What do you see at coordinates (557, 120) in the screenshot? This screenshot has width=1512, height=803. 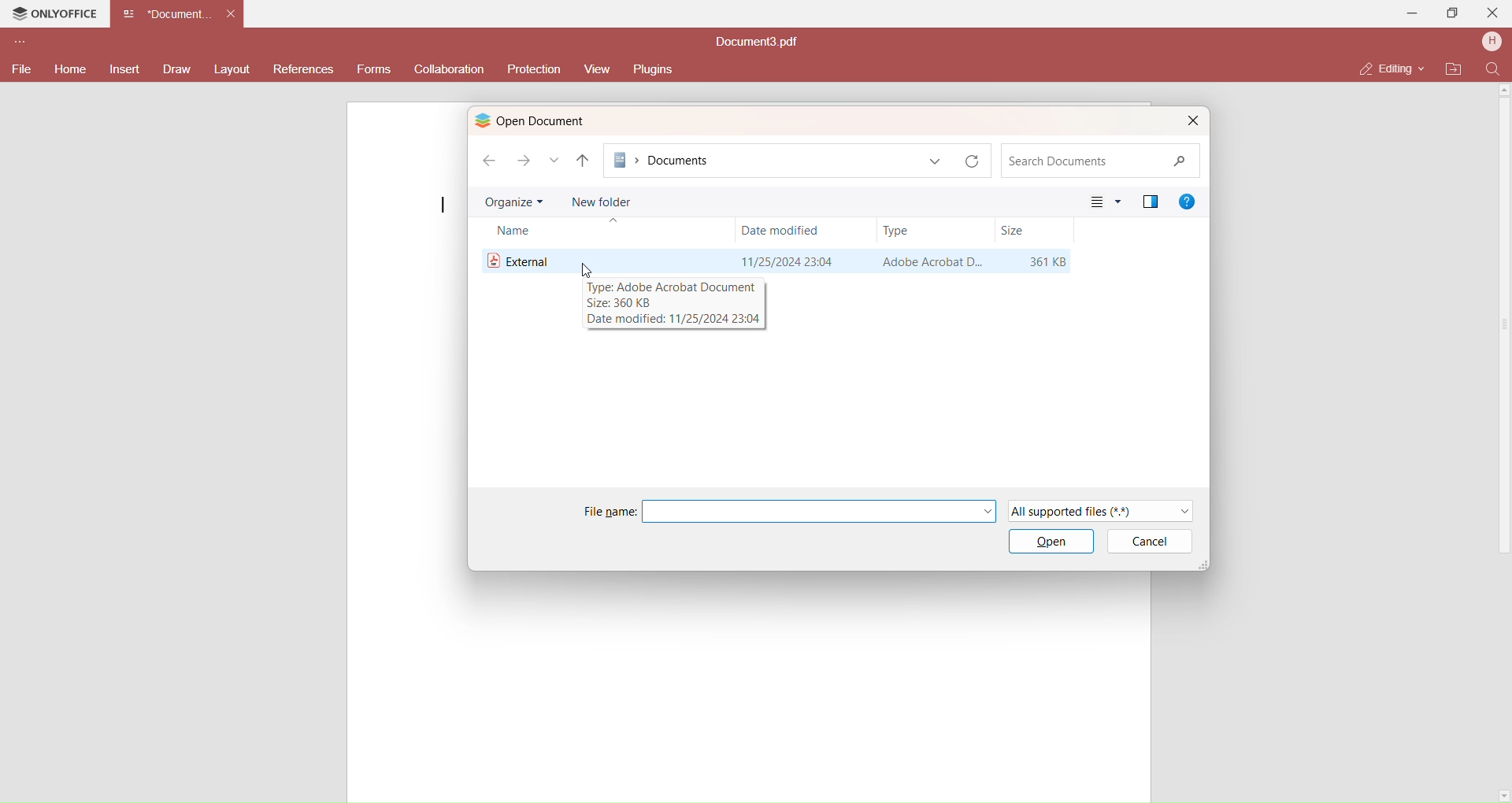 I see `Open Document` at bounding box center [557, 120].